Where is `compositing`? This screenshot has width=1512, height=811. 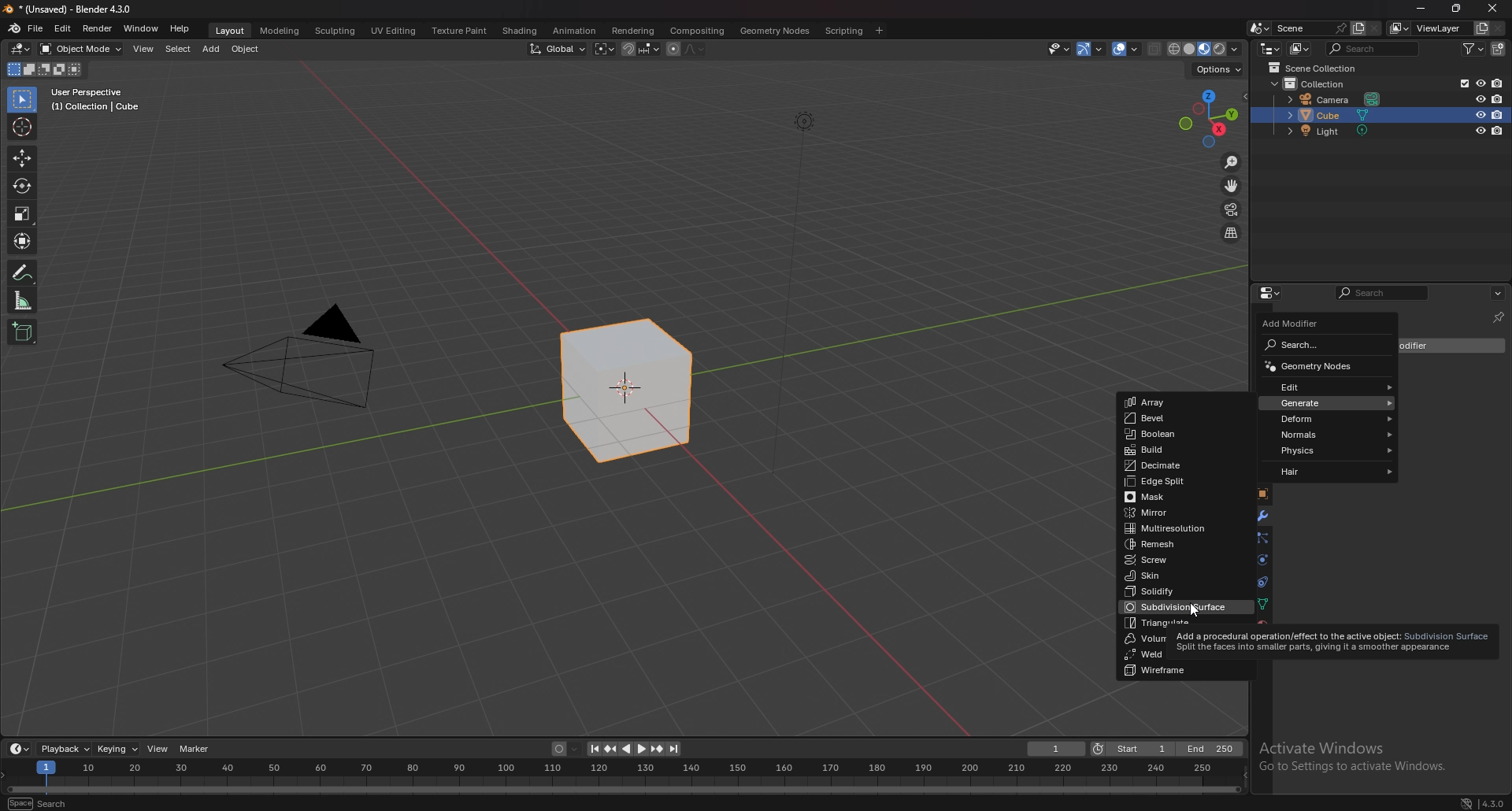 compositing is located at coordinates (699, 31).